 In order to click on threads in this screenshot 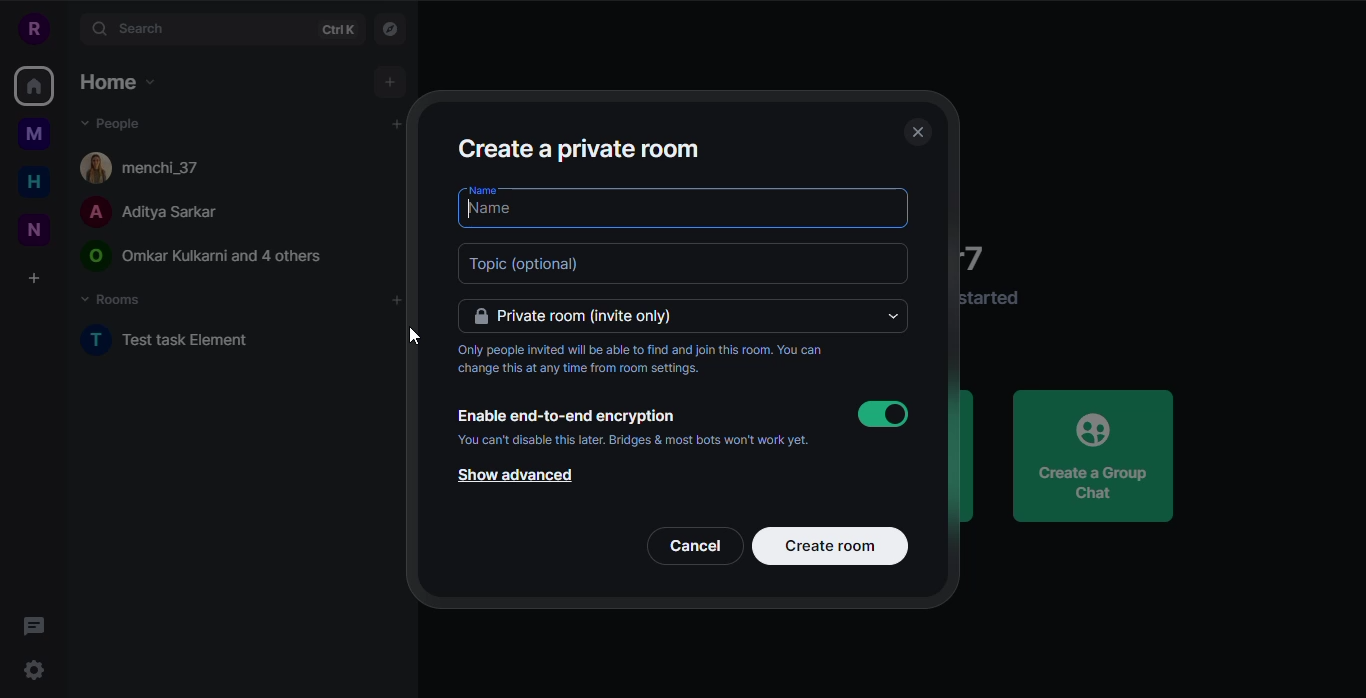, I will do `click(39, 626)`.